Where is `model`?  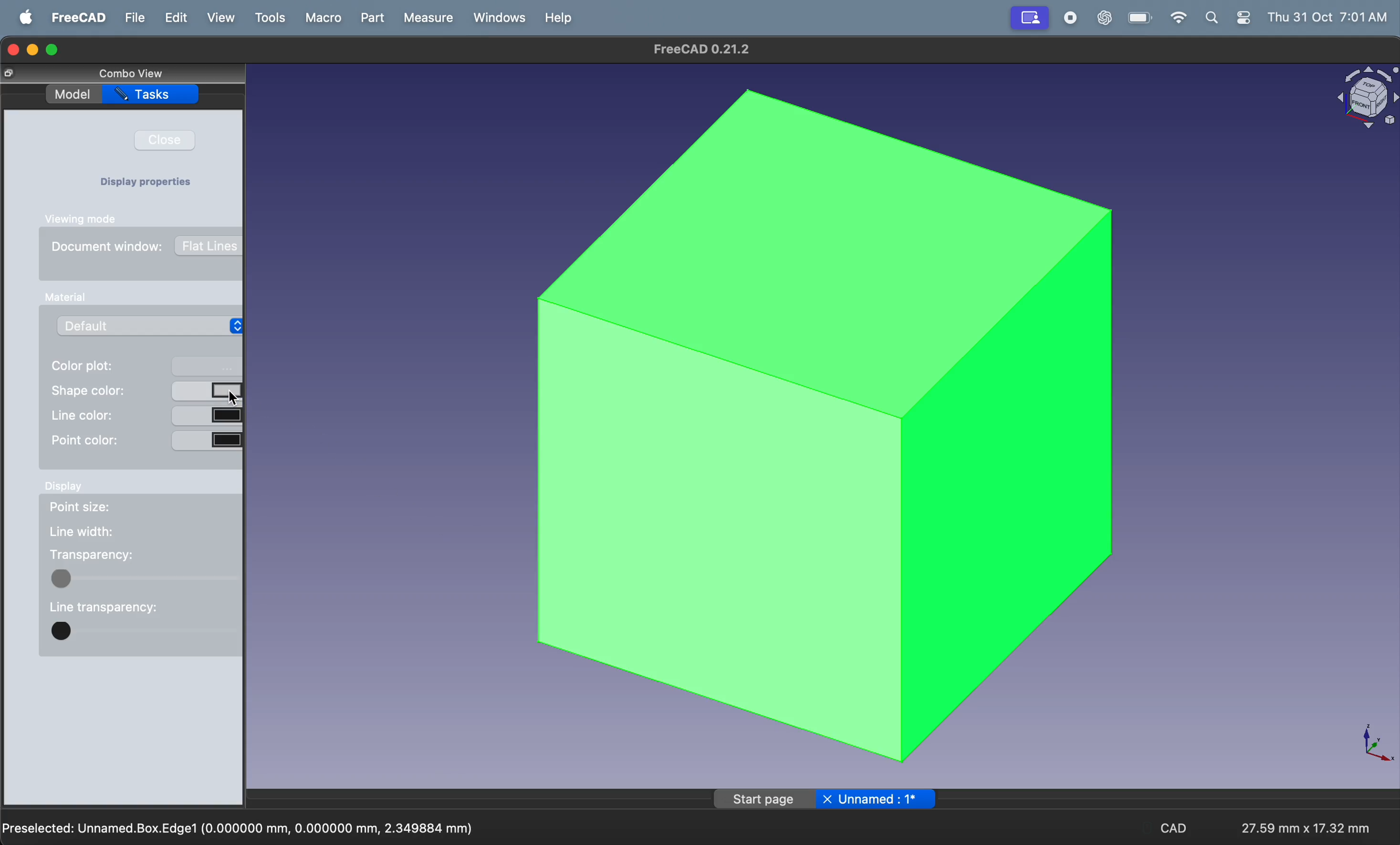
model is located at coordinates (73, 95).